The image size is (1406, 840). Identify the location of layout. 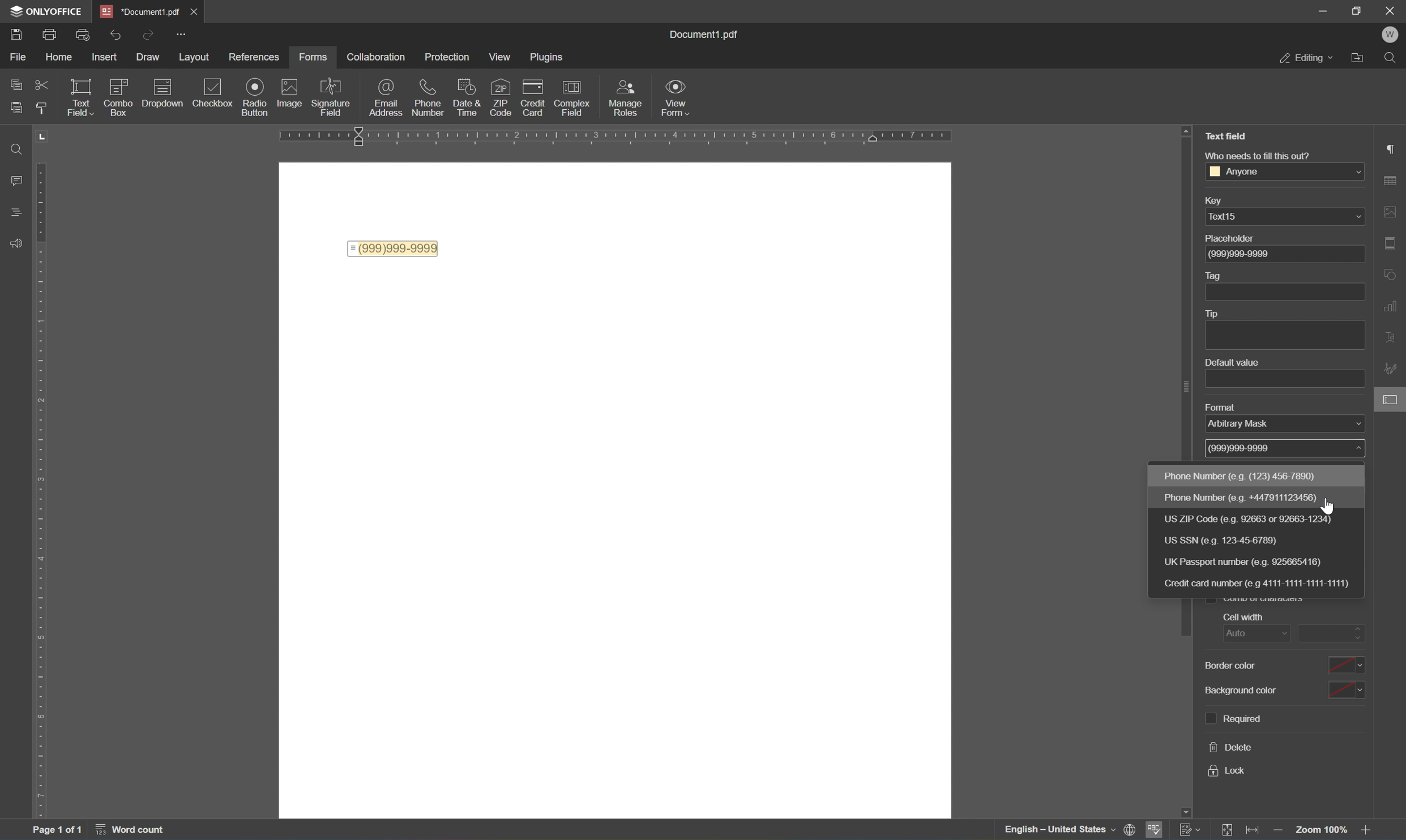
(196, 57).